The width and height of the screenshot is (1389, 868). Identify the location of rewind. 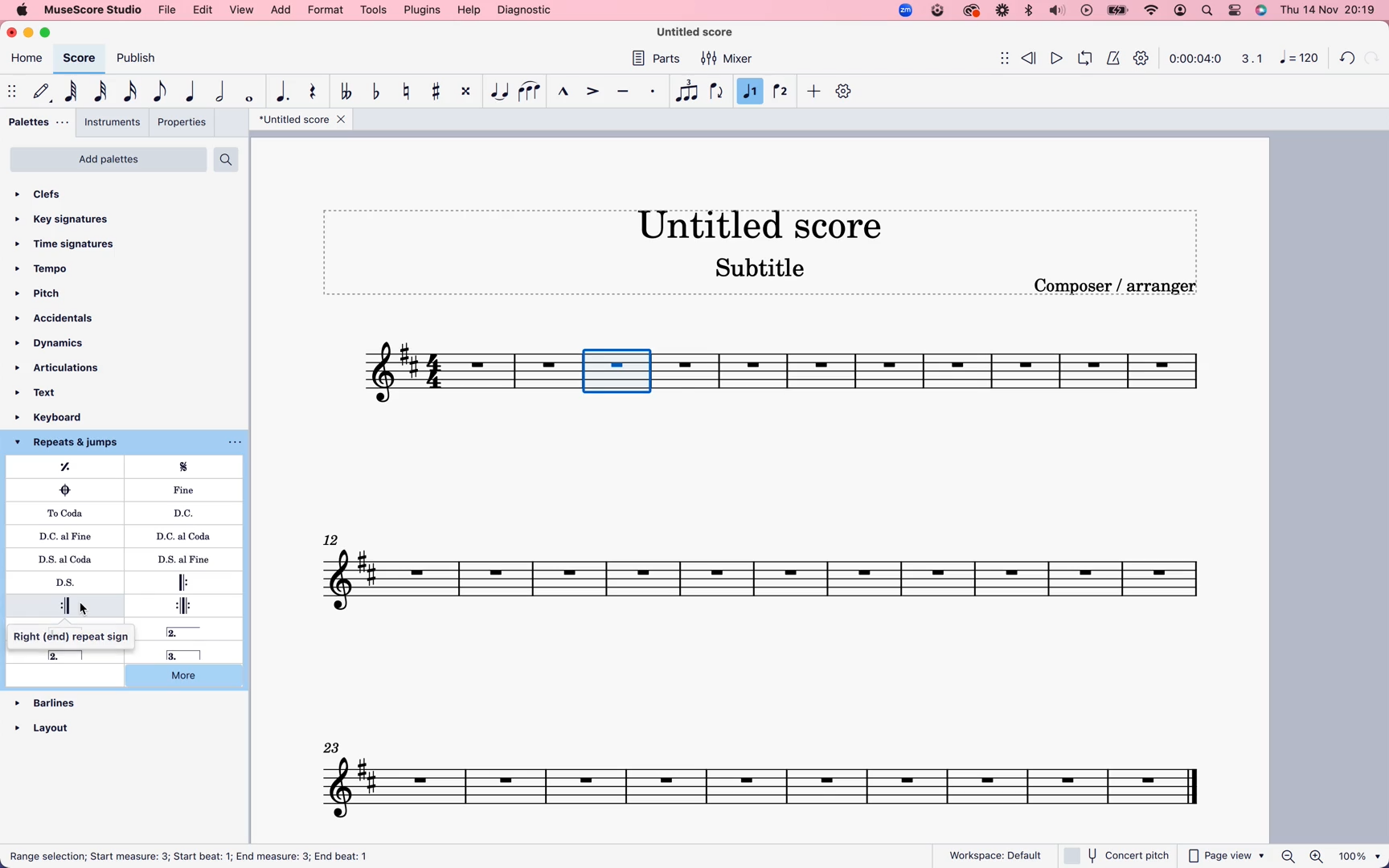
(1030, 55).